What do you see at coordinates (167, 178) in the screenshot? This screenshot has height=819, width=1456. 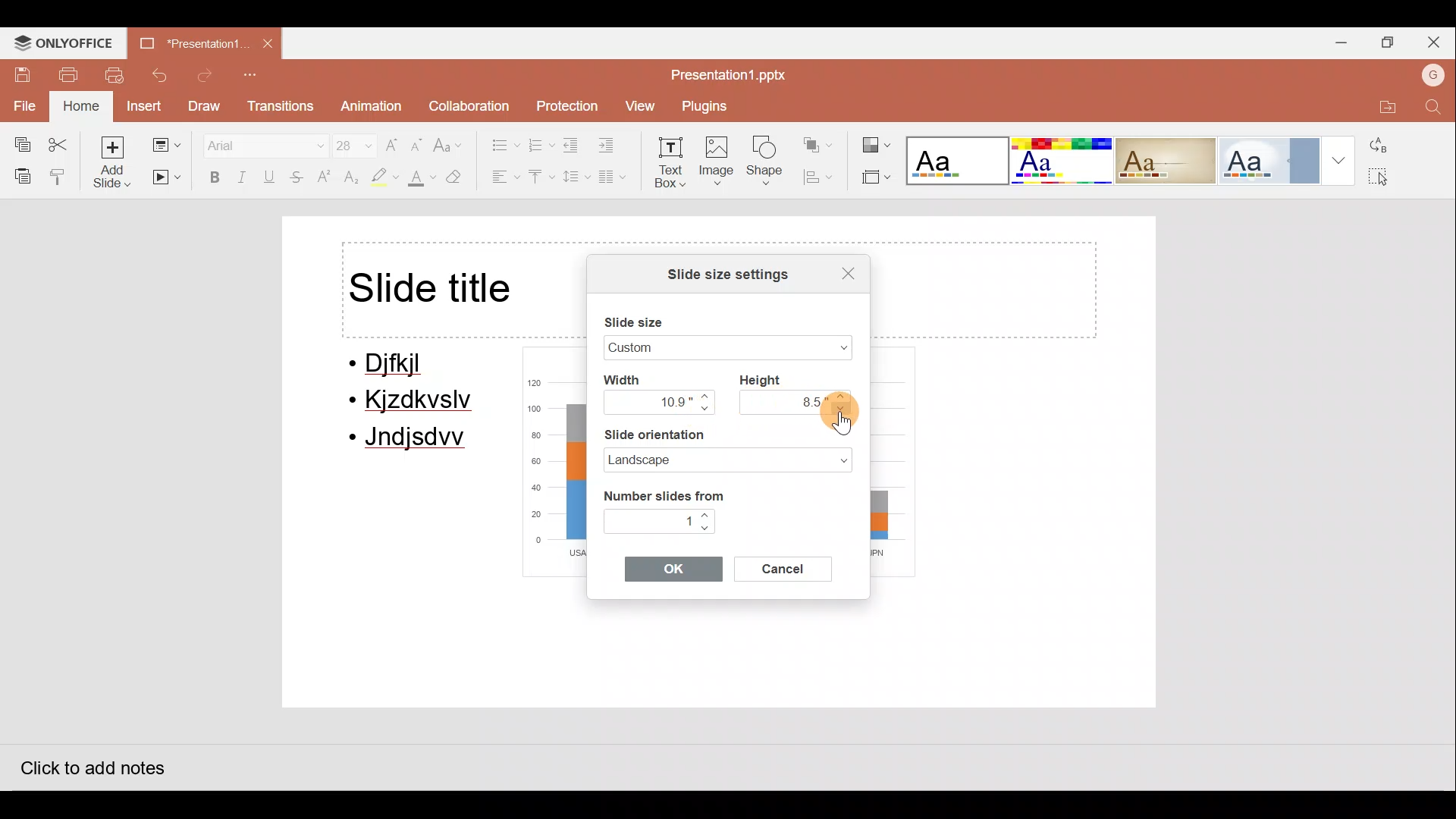 I see `Start slideshow` at bounding box center [167, 178].